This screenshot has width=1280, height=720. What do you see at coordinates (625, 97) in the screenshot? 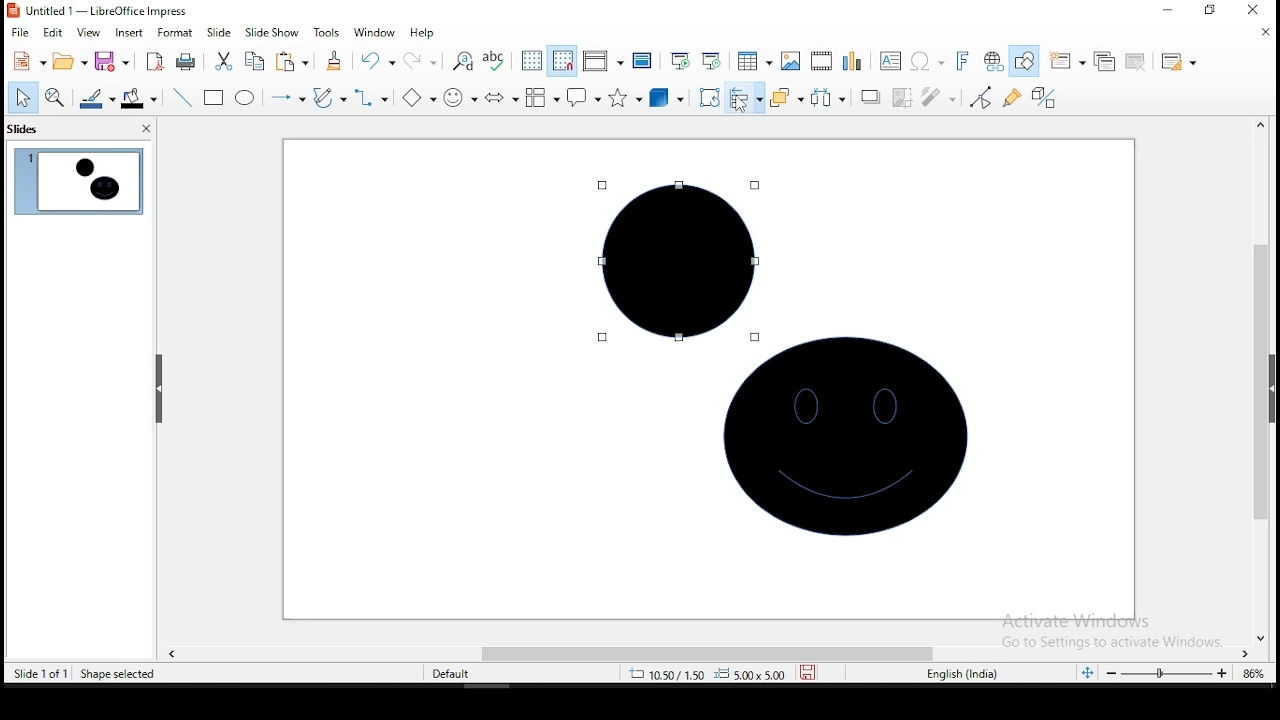
I see `stars and banners` at bounding box center [625, 97].